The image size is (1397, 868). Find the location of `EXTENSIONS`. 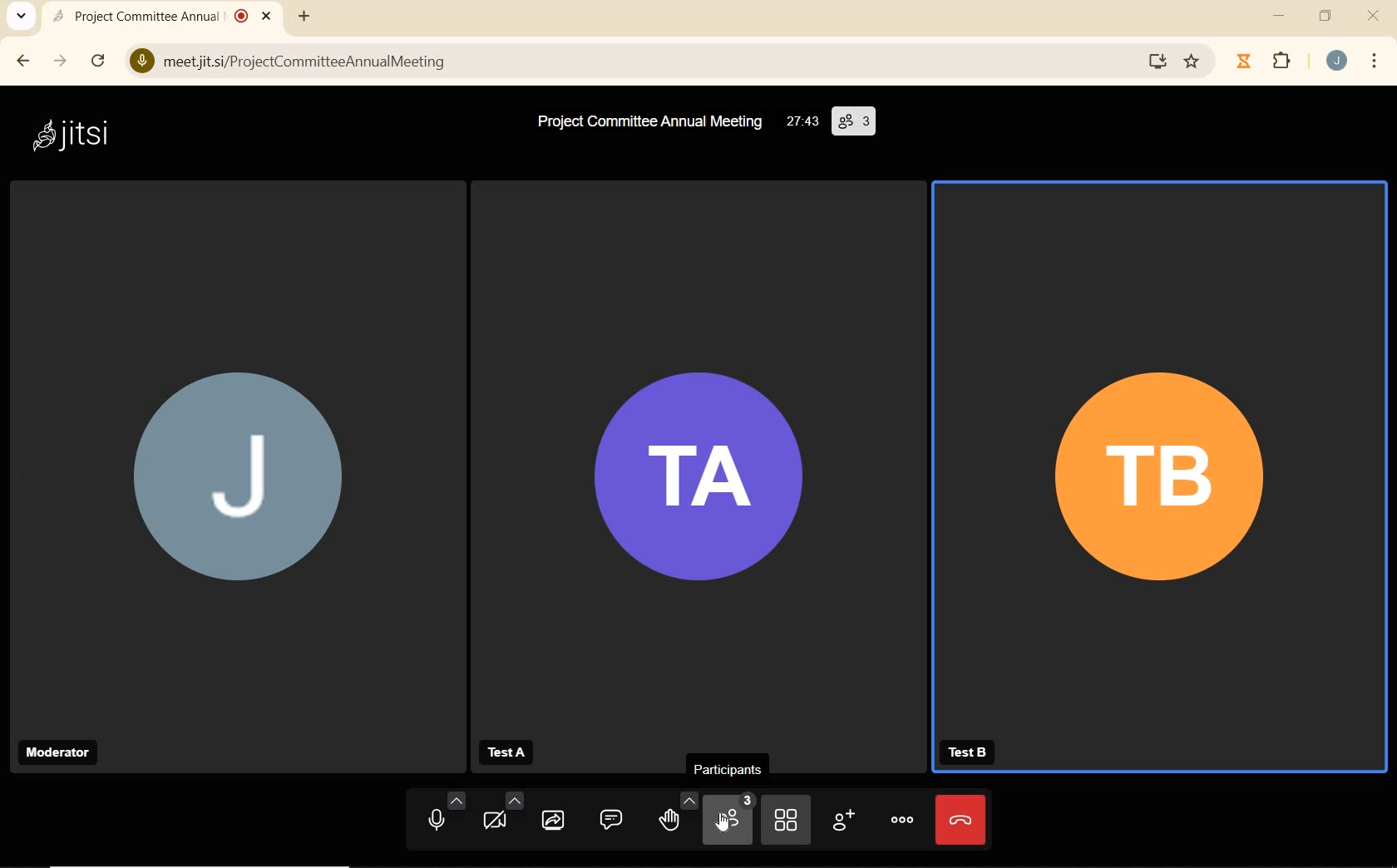

EXTENSIONS is located at coordinates (1286, 64).